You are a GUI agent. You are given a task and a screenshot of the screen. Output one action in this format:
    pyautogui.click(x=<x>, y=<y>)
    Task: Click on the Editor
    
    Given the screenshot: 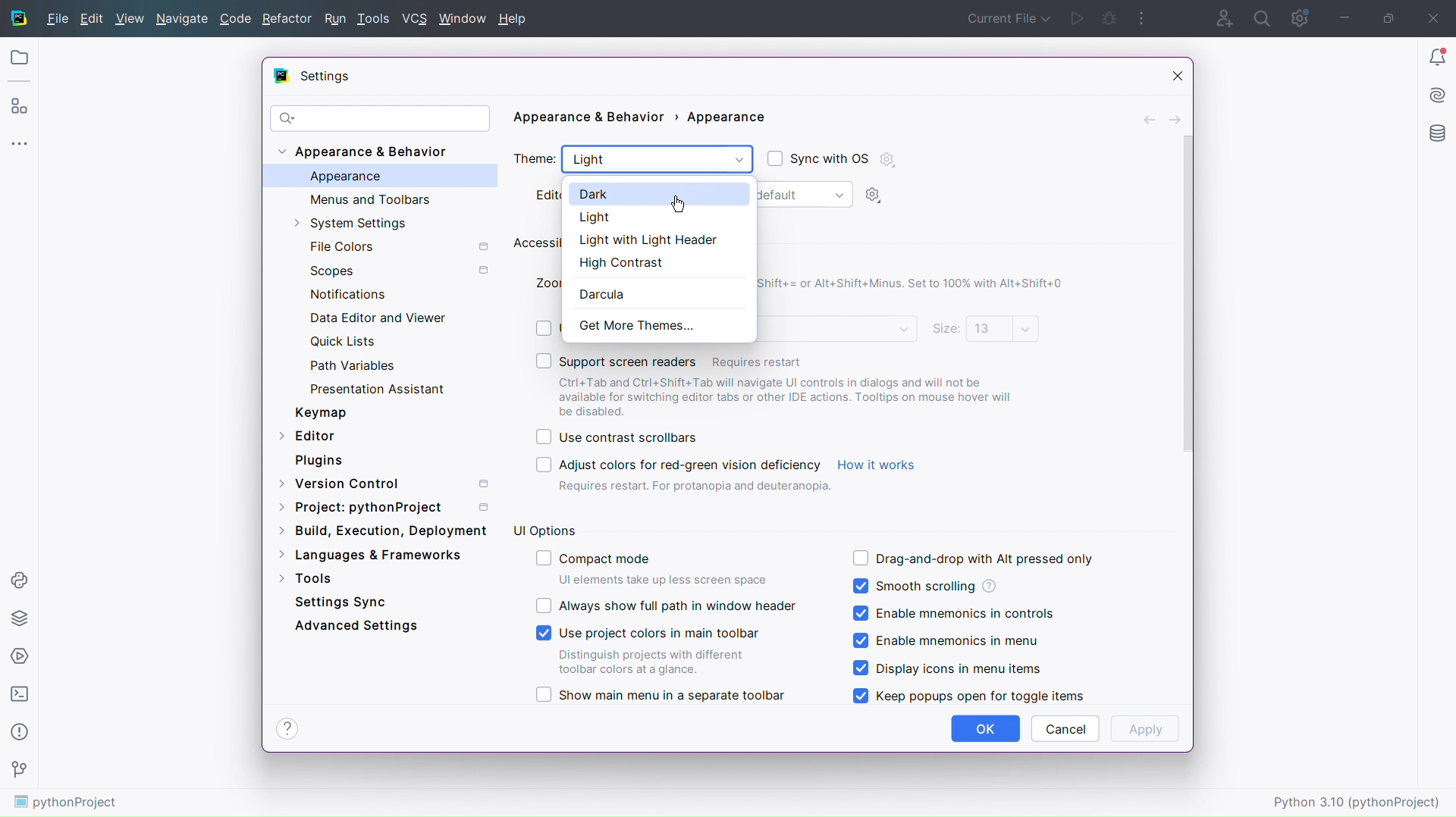 What is the action you would take?
    pyautogui.click(x=308, y=434)
    